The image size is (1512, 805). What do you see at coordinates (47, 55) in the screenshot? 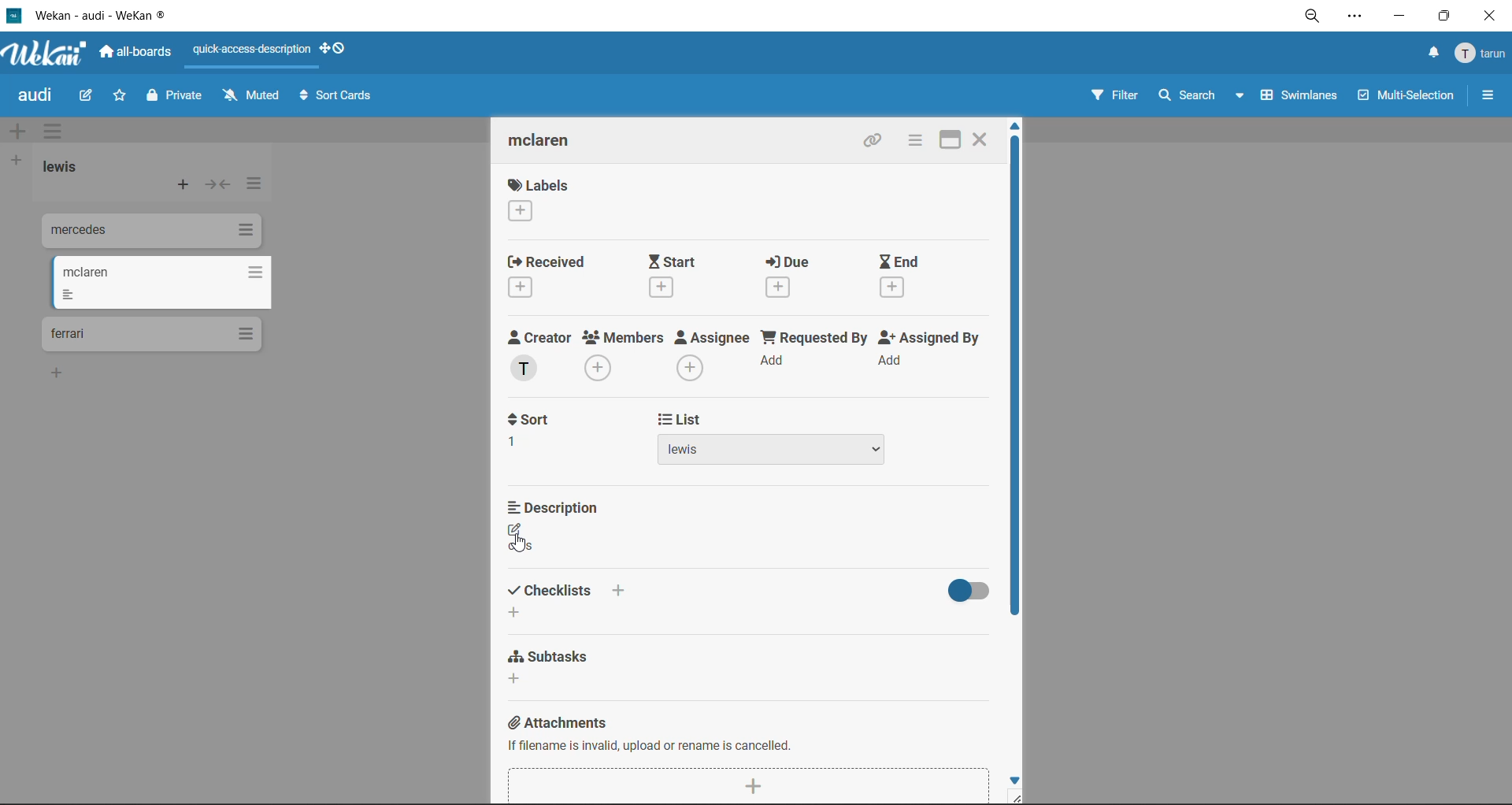
I see `app logo` at bounding box center [47, 55].